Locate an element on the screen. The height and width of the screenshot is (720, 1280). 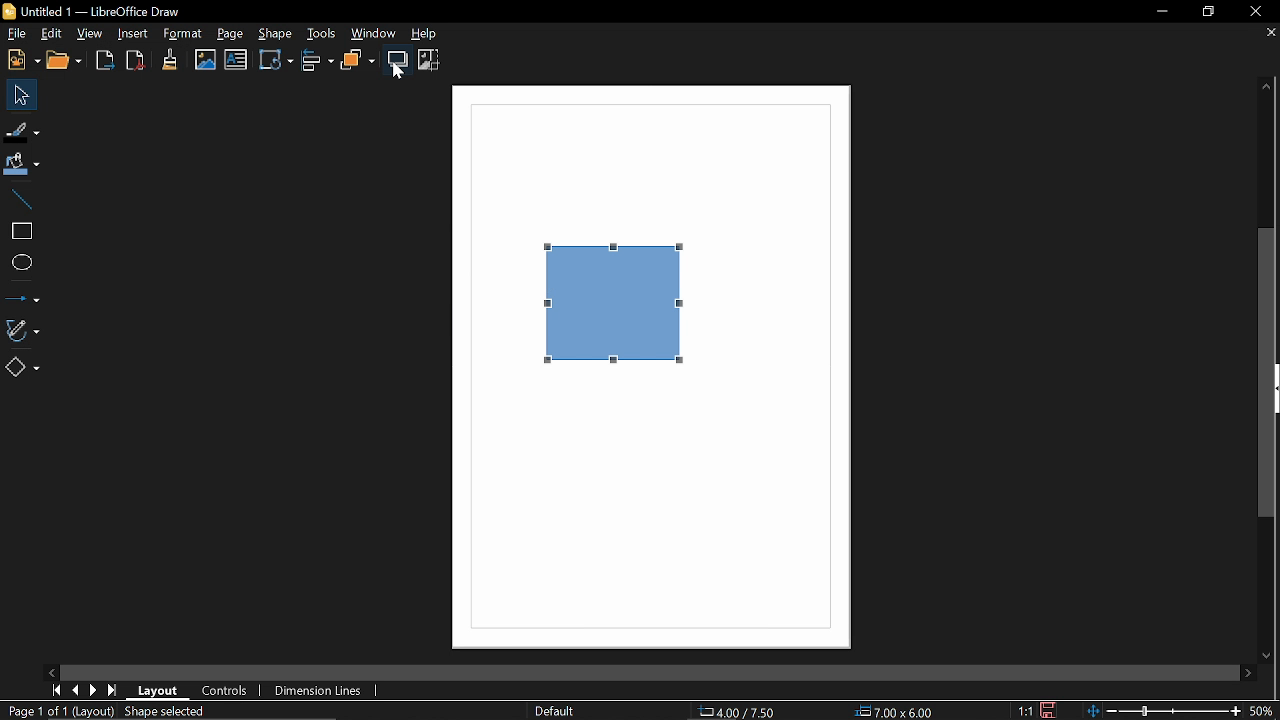
cursor is located at coordinates (400, 74).